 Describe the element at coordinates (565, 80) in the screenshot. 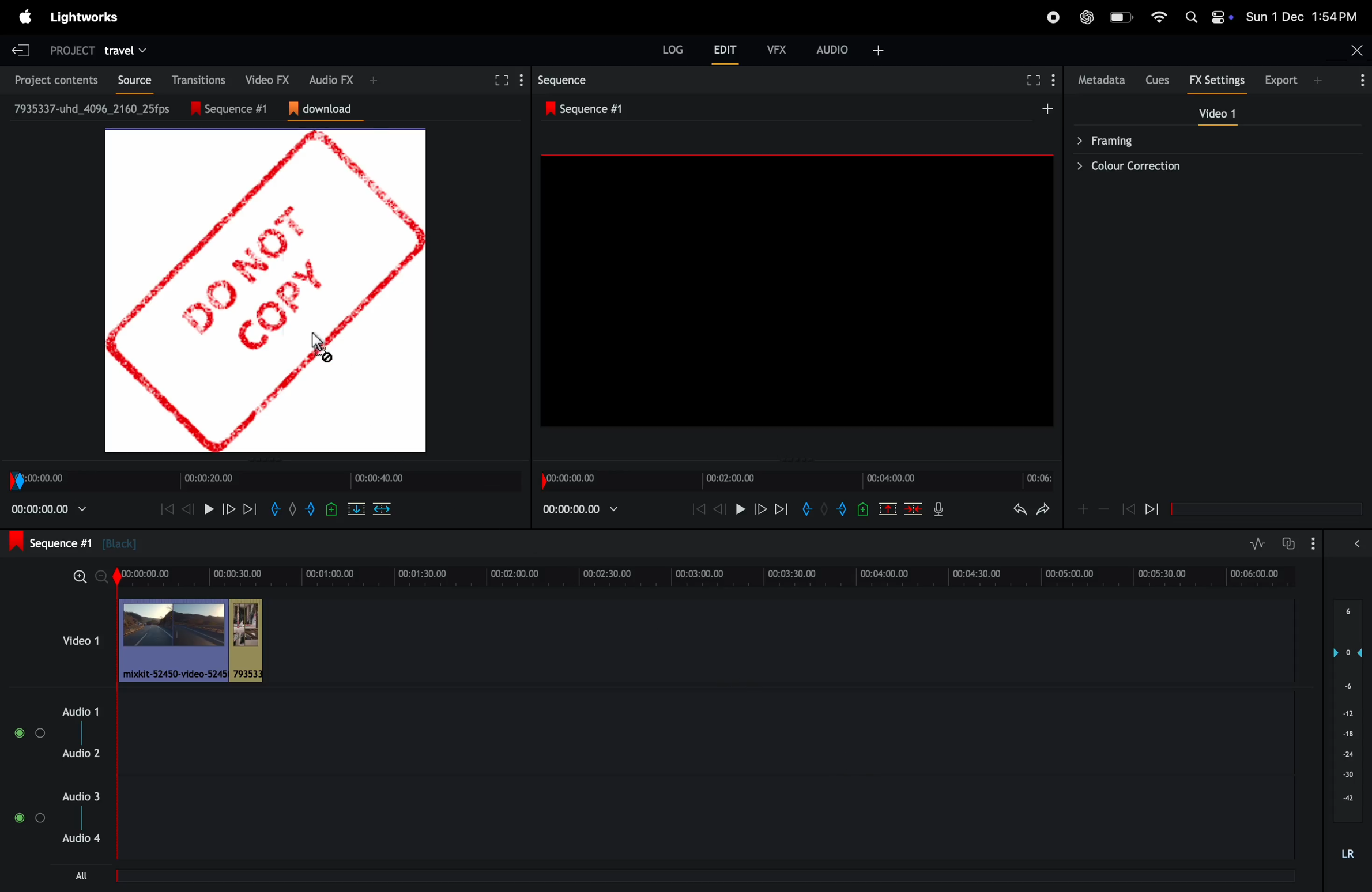

I see `sequence` at that location.